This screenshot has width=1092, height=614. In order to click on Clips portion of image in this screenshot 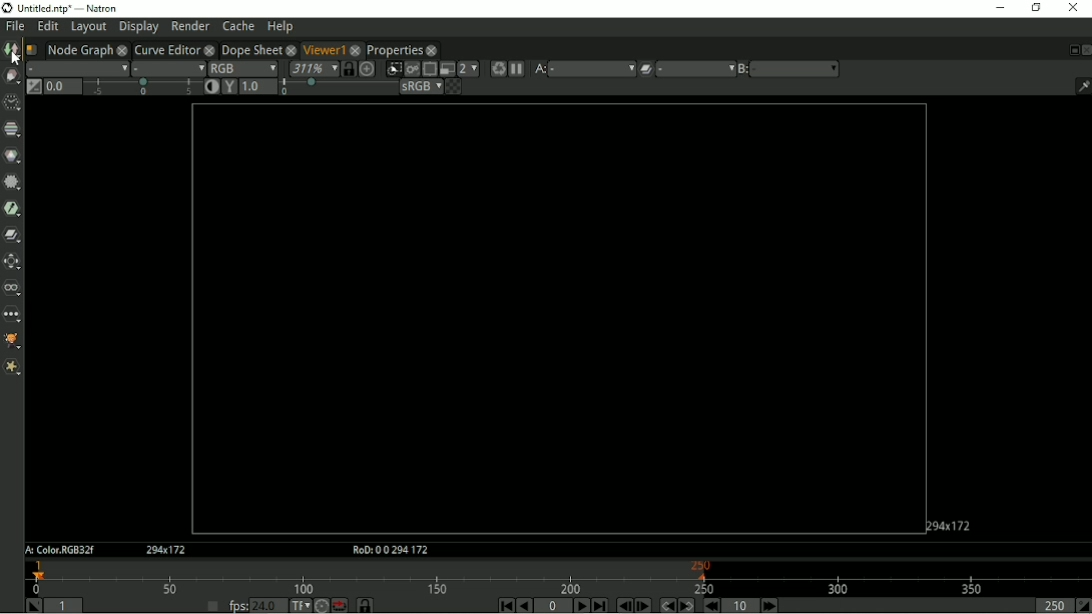, I will do `click(393, 69)`.